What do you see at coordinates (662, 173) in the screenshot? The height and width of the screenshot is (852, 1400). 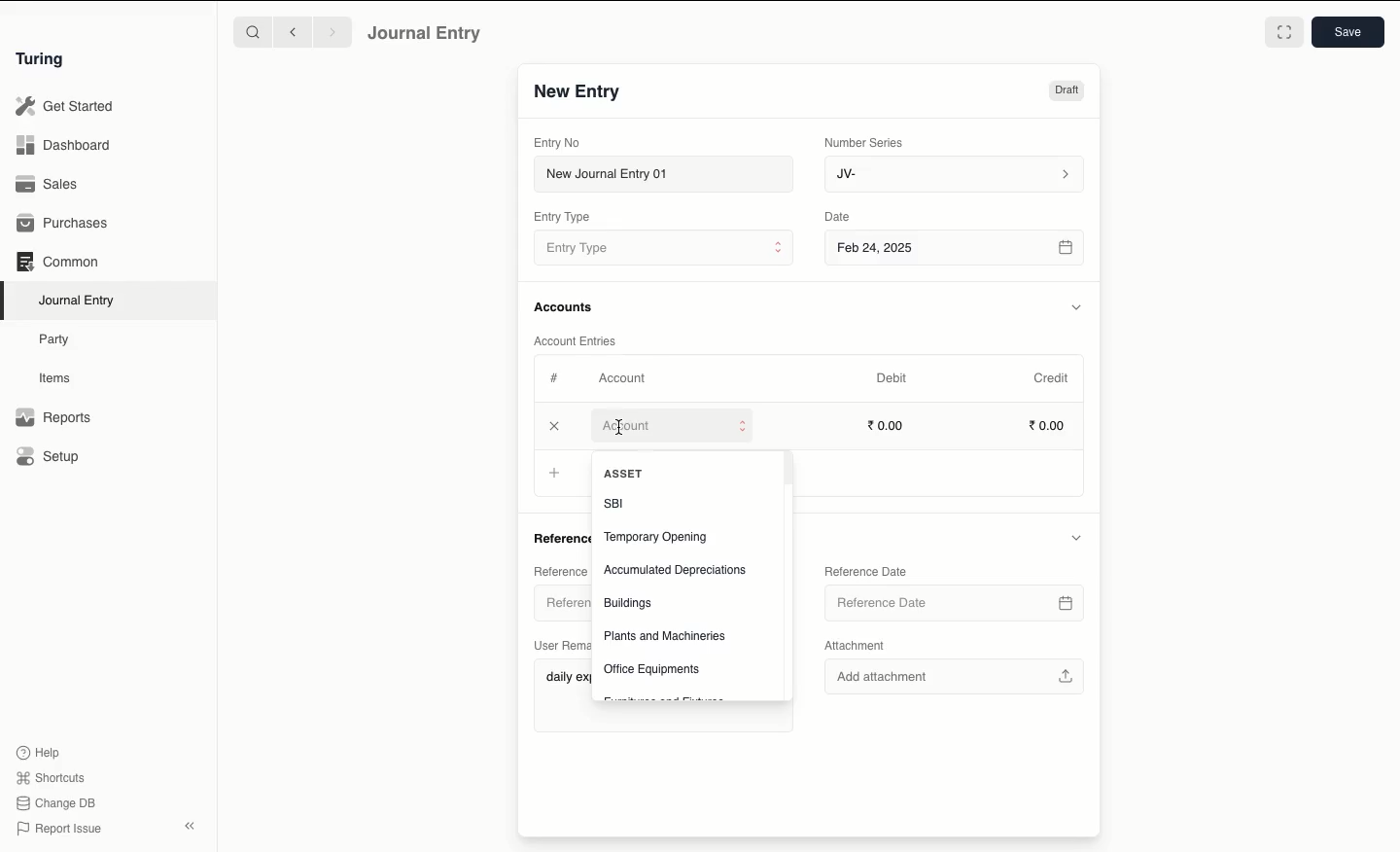 I see `New Journal Entry 01` at bounding box center [662, 173].